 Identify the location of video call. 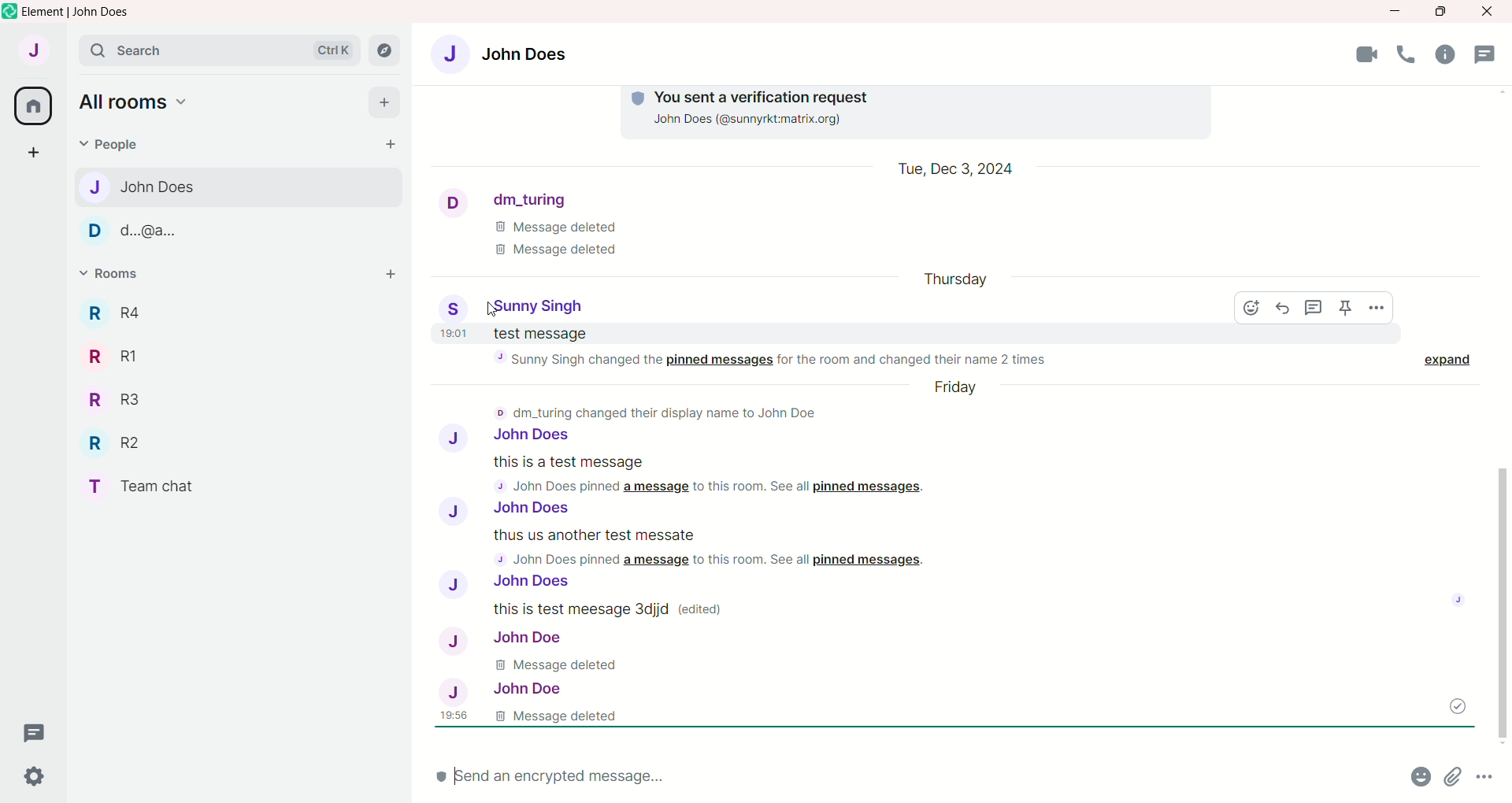
(1365, 54).